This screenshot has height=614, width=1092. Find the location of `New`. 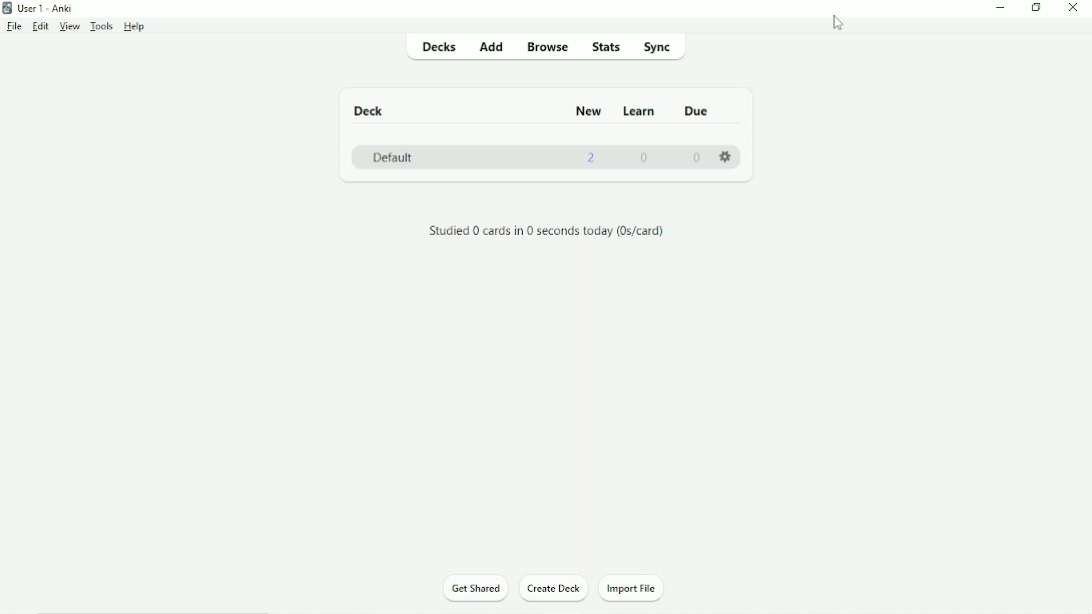

New is located at coordinates (589, 110).